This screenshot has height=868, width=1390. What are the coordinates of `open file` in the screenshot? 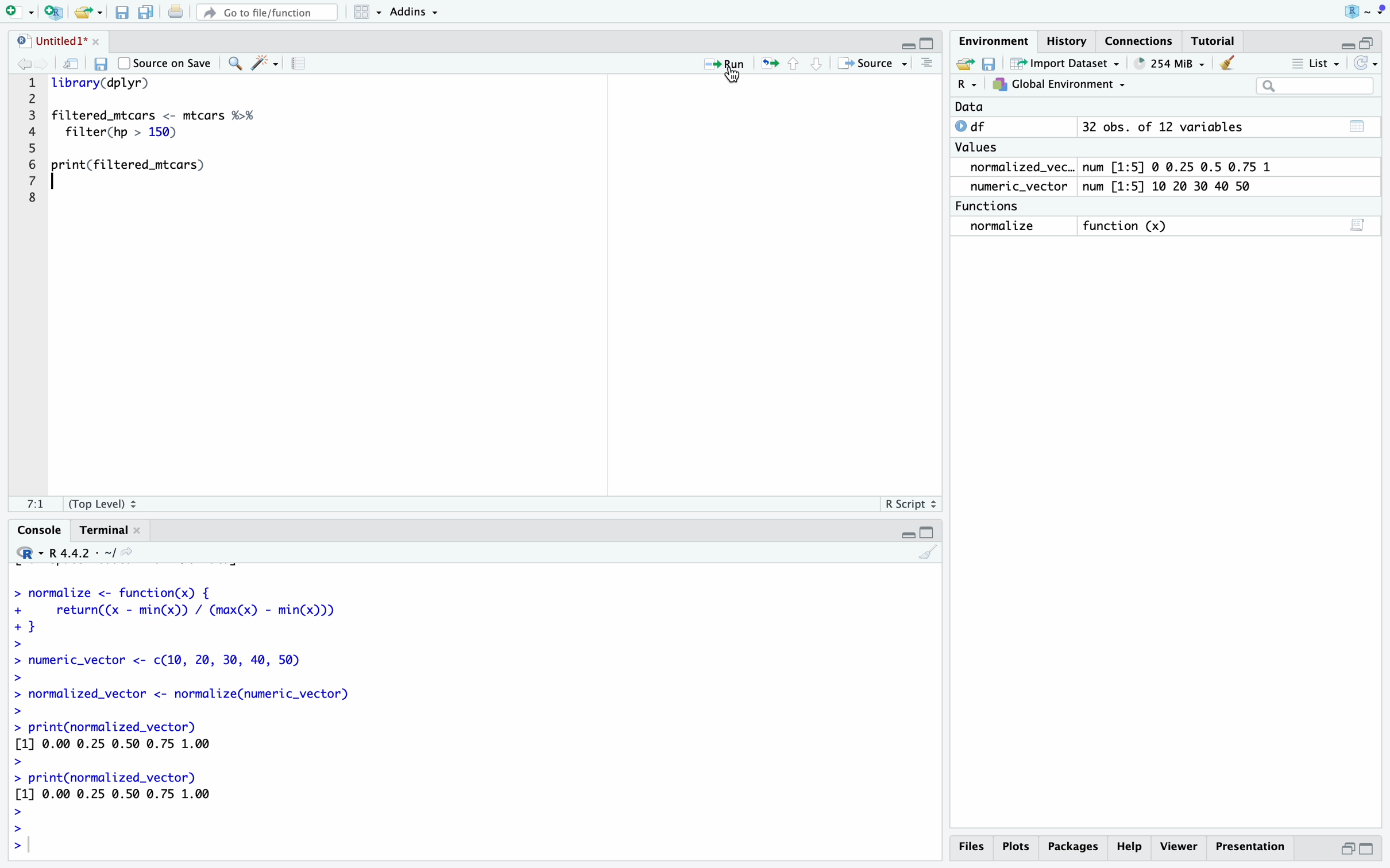 It's located at (85, 14).